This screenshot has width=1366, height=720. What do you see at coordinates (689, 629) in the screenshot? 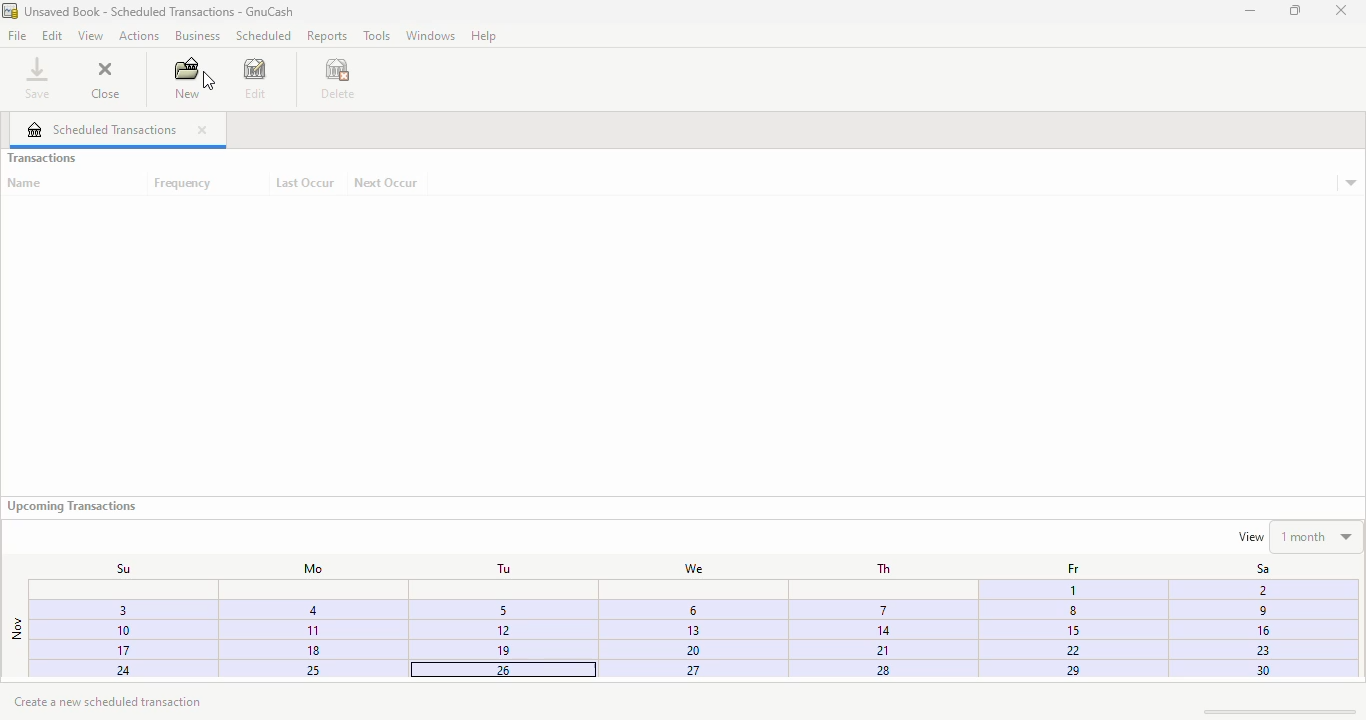
I see `13` at bounding box center [689, 629].